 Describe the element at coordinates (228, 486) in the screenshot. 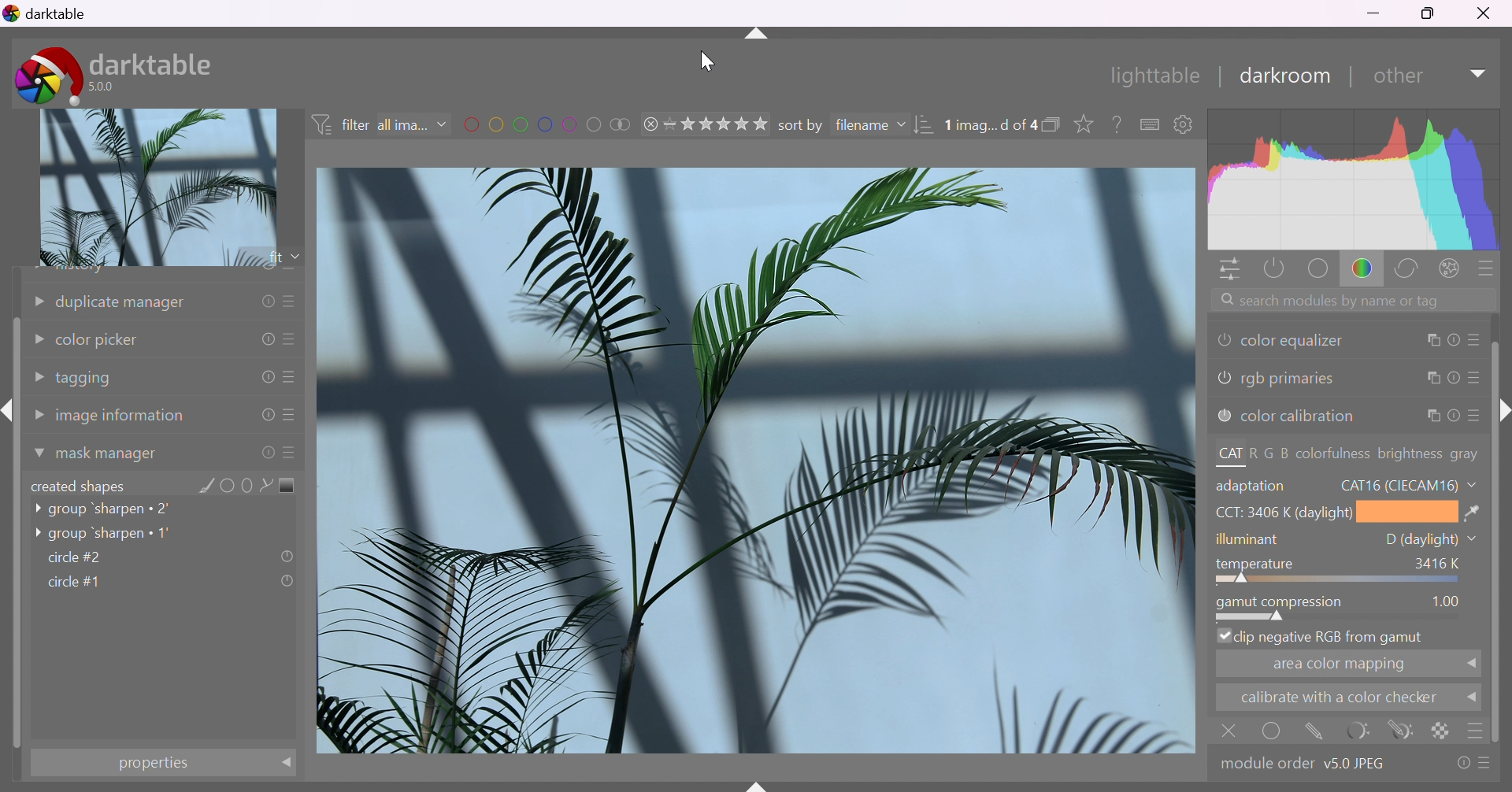

I see `add circle` at that location.